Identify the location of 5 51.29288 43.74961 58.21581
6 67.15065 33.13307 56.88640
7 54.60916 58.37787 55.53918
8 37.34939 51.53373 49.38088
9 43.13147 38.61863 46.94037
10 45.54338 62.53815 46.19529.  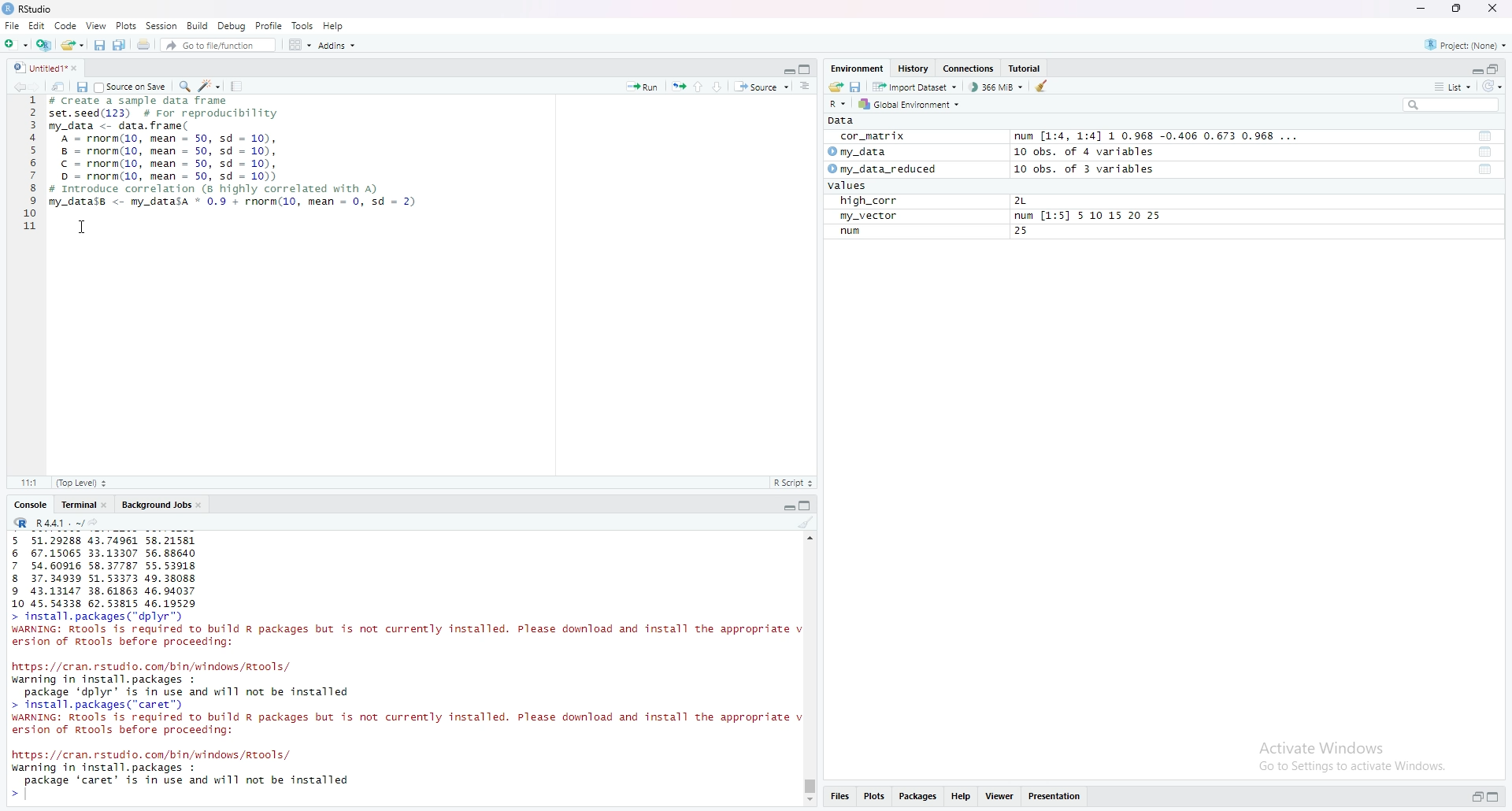
(102, 572).